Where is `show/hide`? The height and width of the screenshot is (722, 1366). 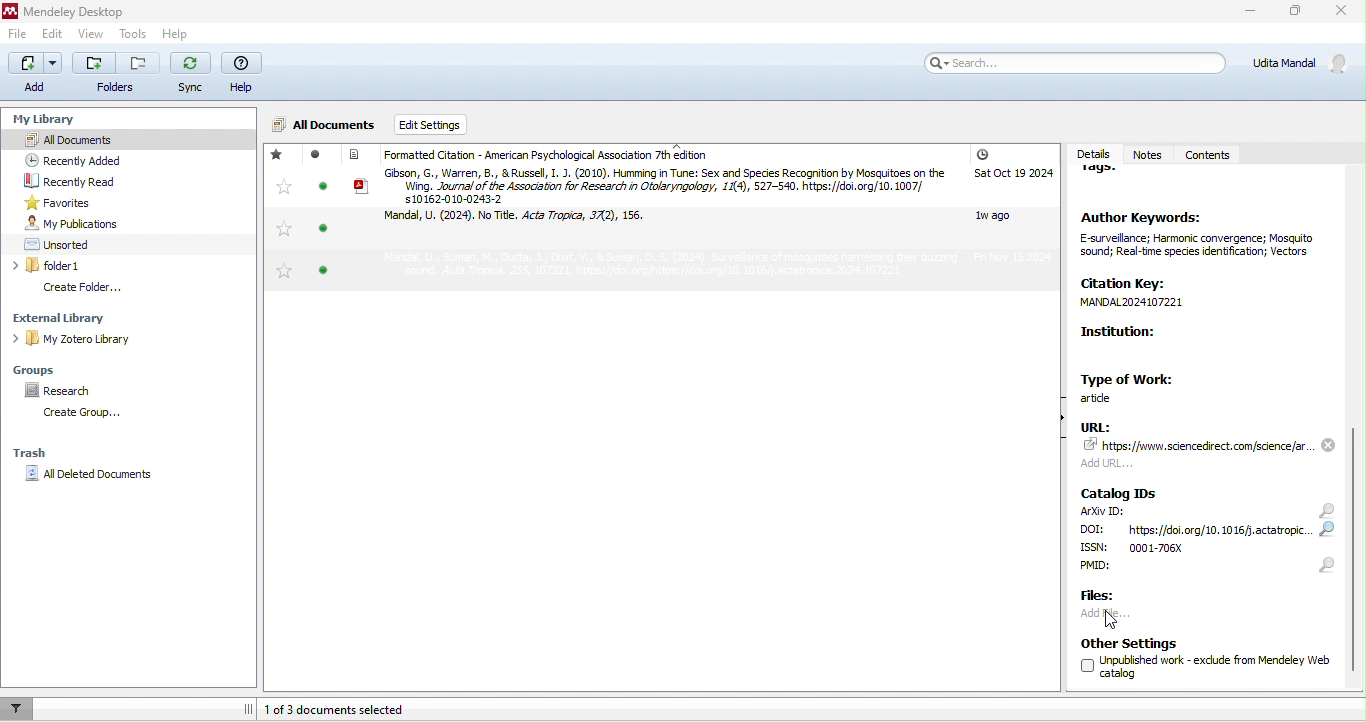 show/hide is located at coordinates (1054, 430).